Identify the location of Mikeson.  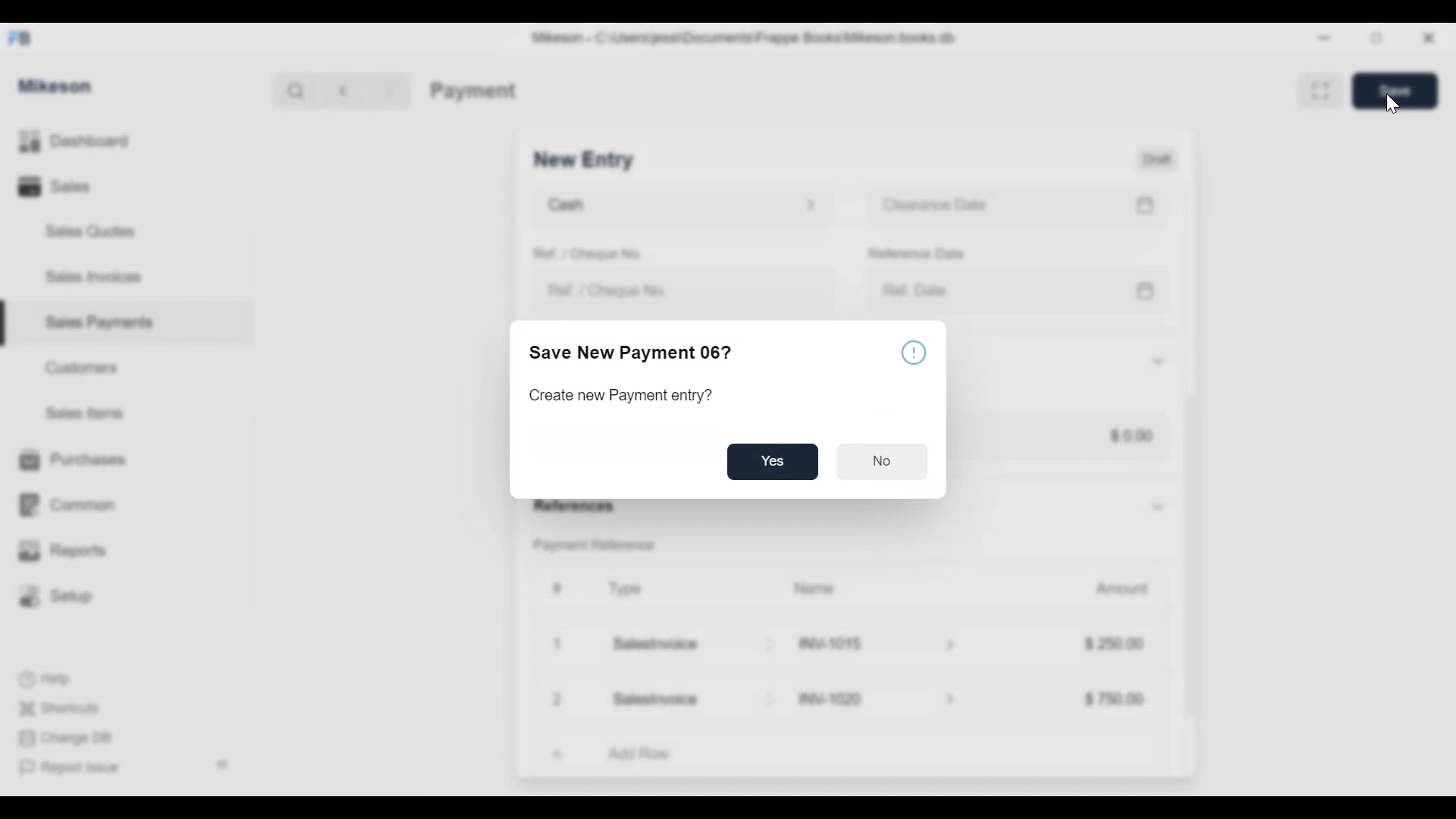
(56, 84).